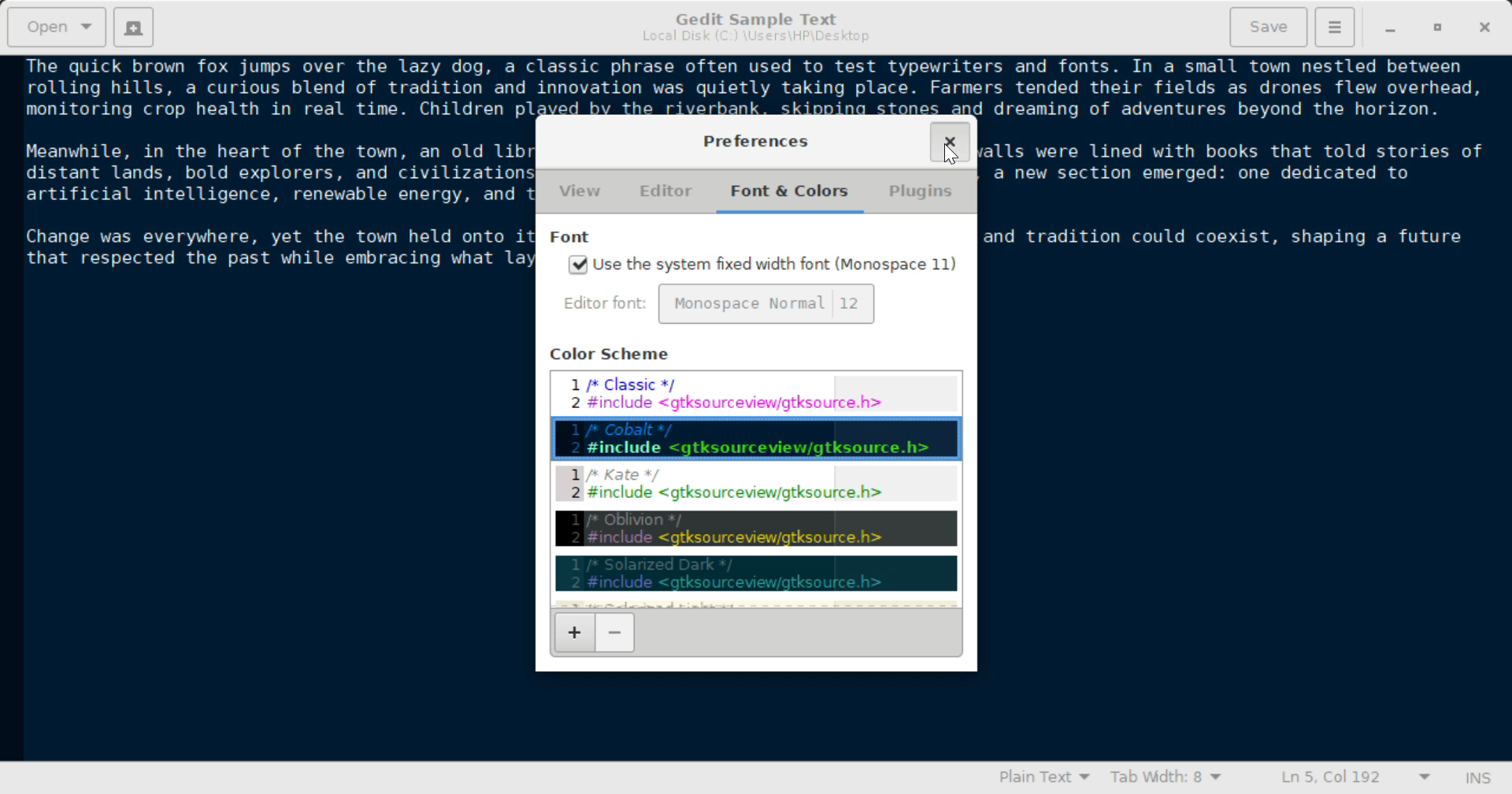  Describe the element at coordinates (1348, 779) in the screenshot. I see `Line & Character Count` at that location.